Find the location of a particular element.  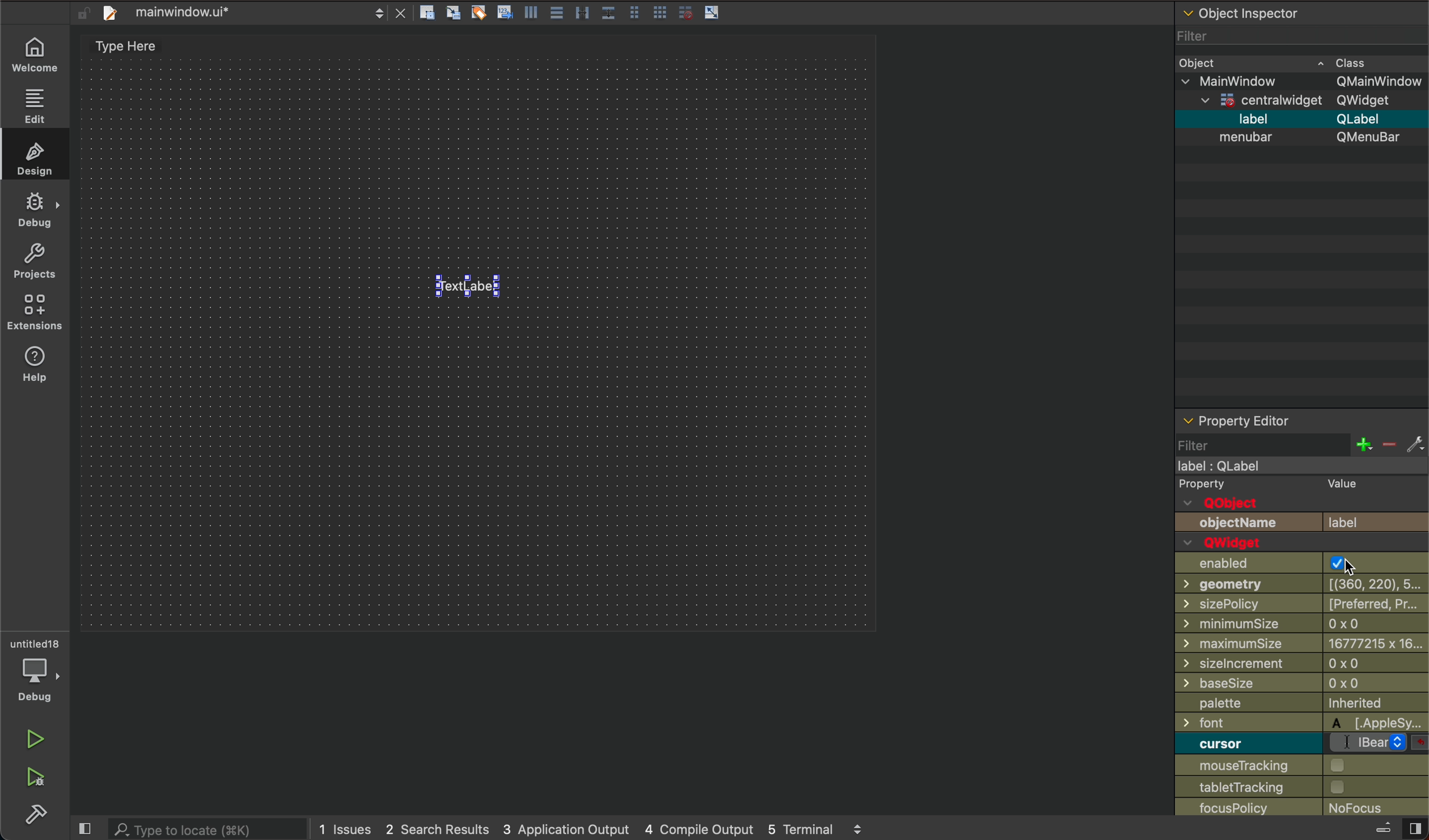

[(360, 220), 5... is located at coordinates (1372, 584).